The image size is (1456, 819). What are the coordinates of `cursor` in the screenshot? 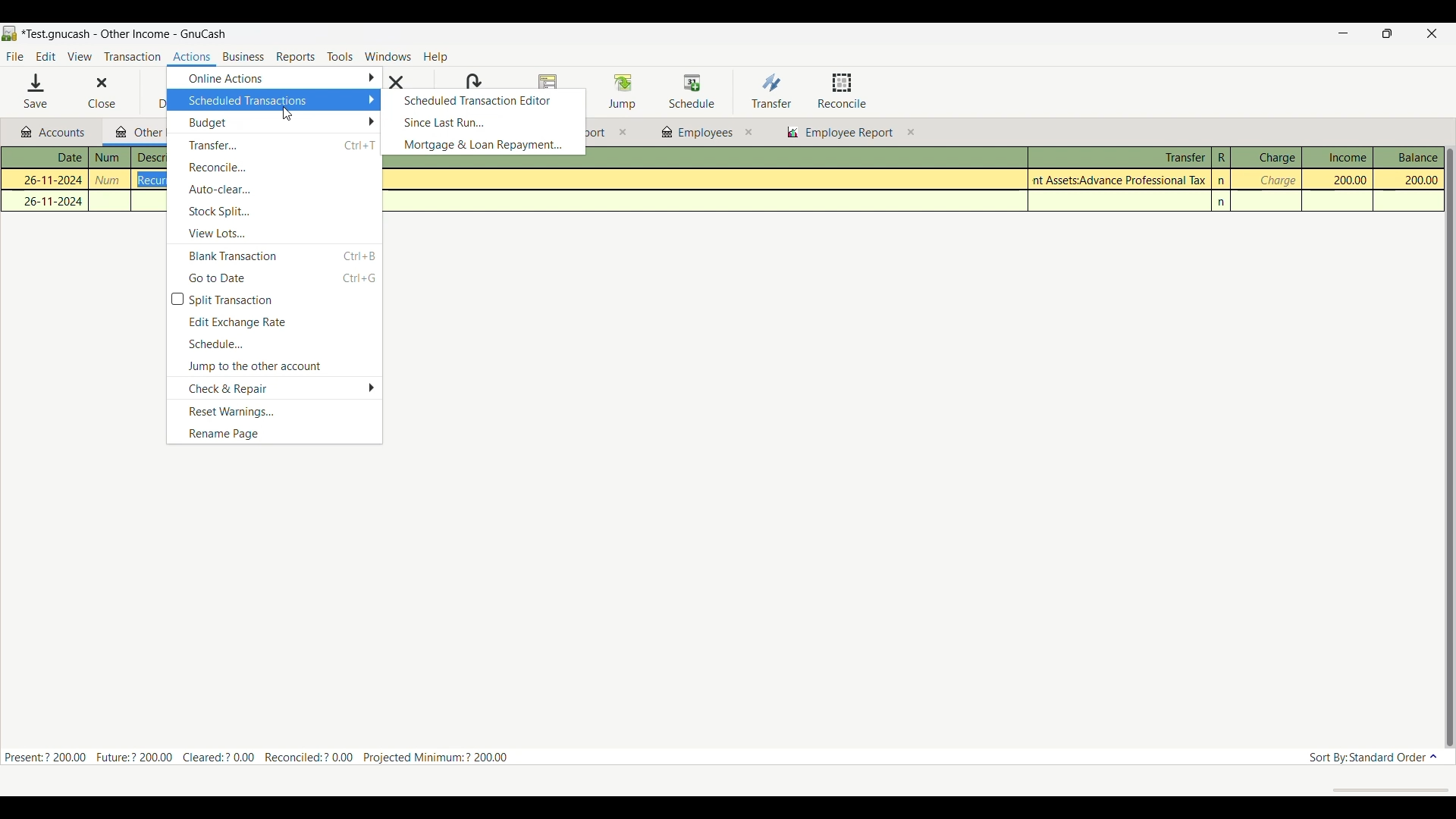 It's located at (290, 115).